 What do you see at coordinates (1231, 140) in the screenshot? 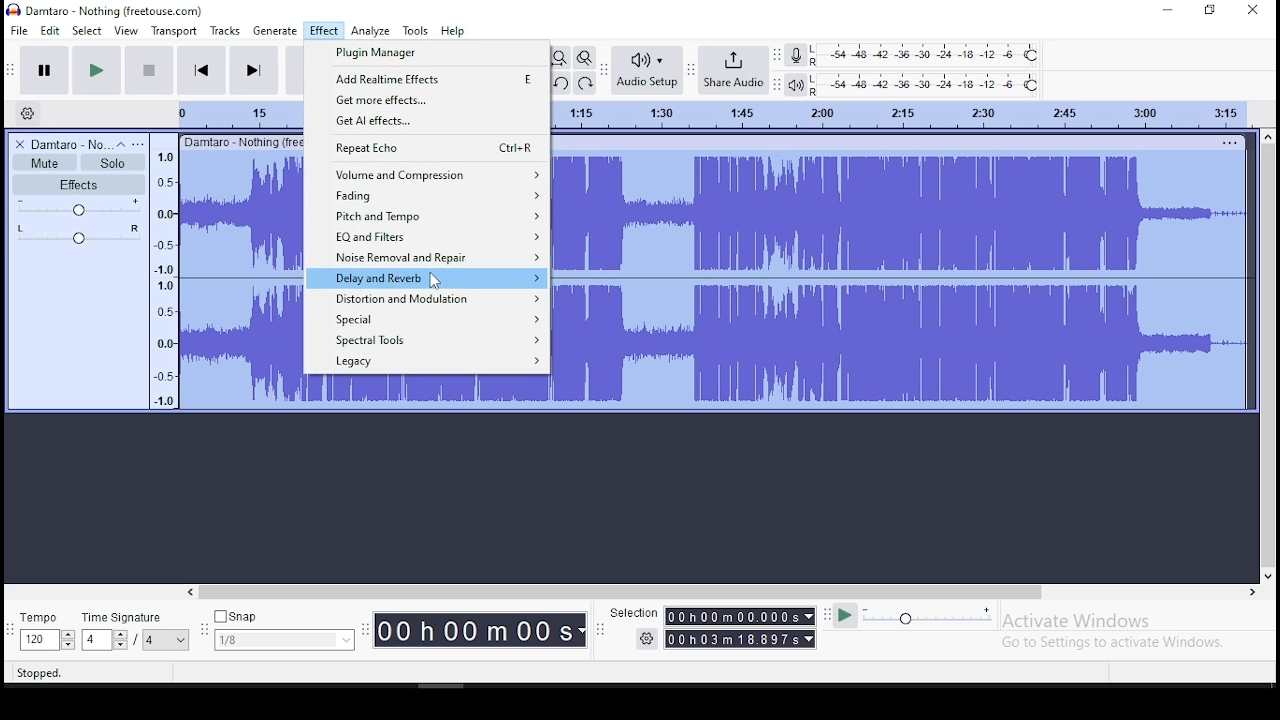
I see `` at bounding box center [1231, 140].